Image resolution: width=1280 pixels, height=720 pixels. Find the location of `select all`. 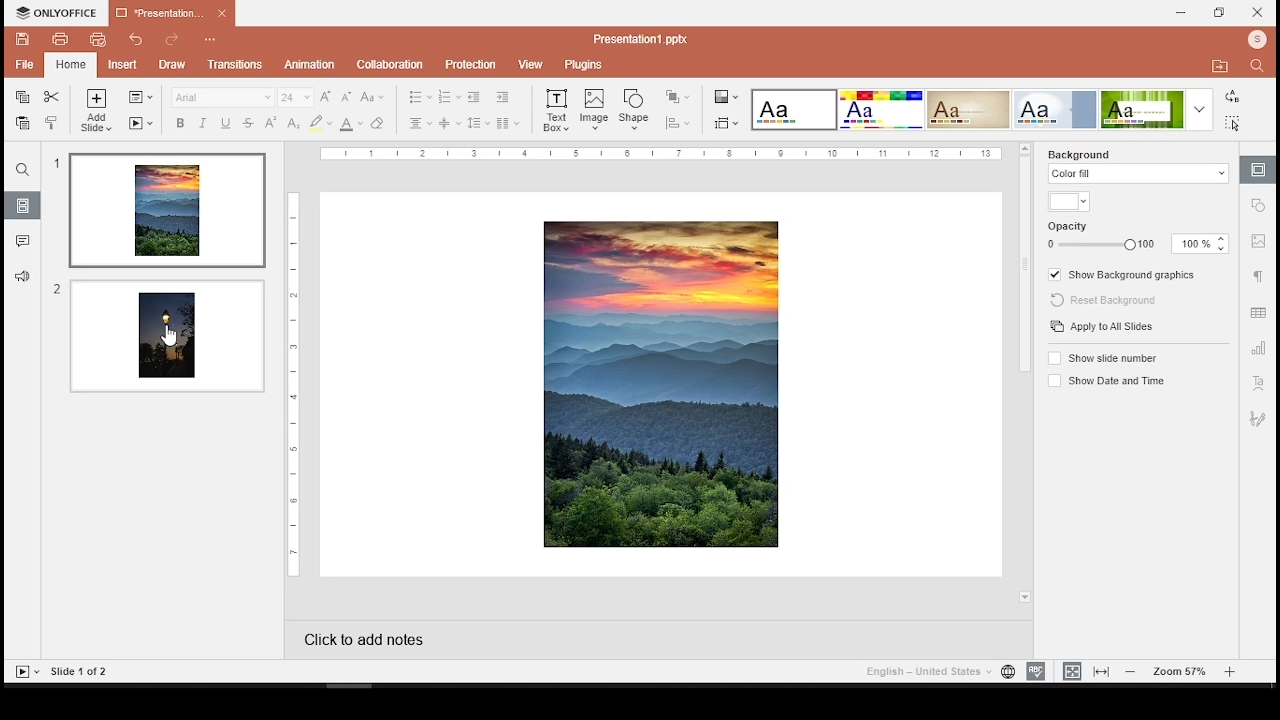

select all is located at coordinates (1233, 125).